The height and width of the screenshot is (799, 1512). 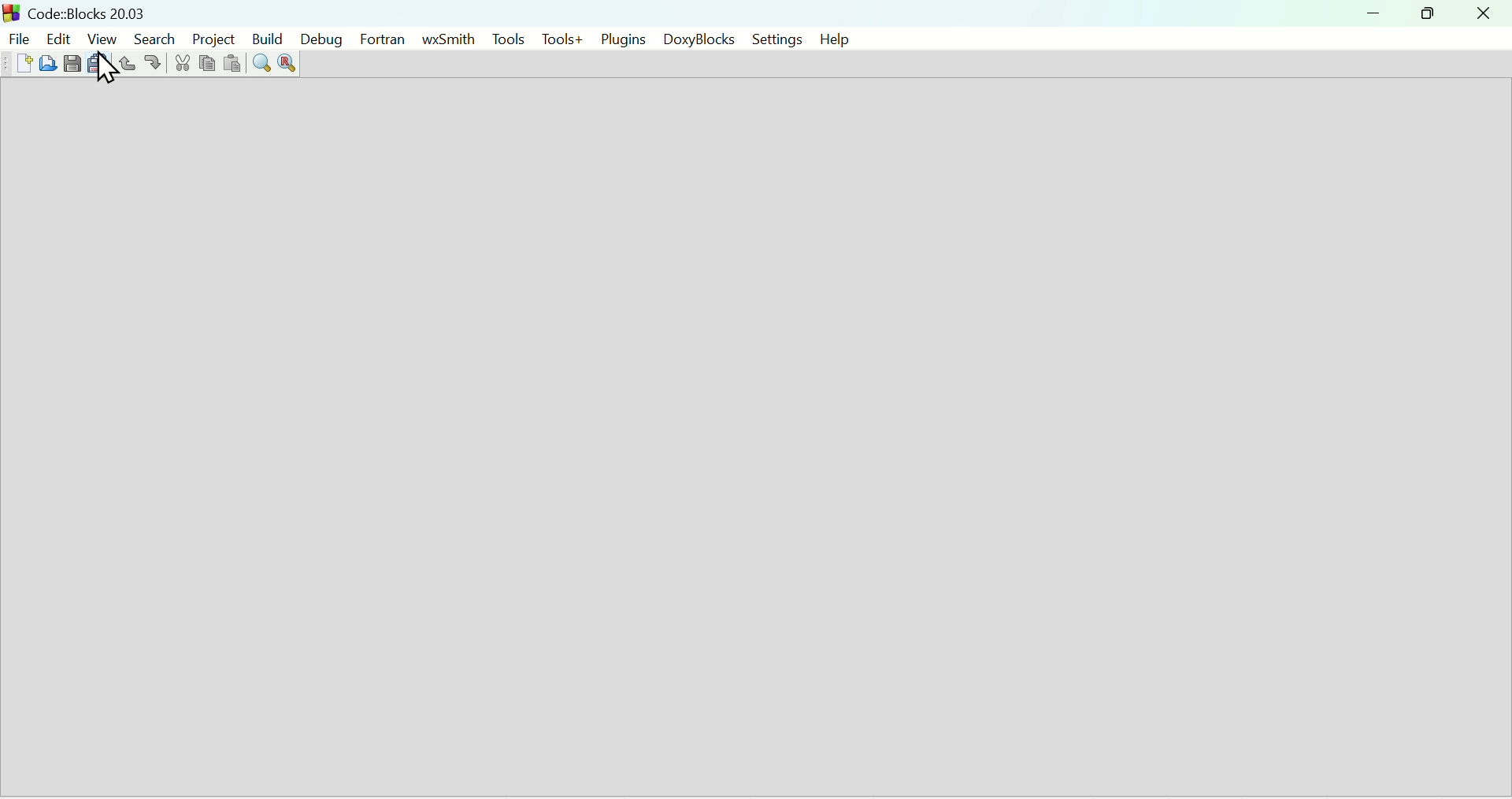 I want to click on Save everything, so click(x=98, y=63).